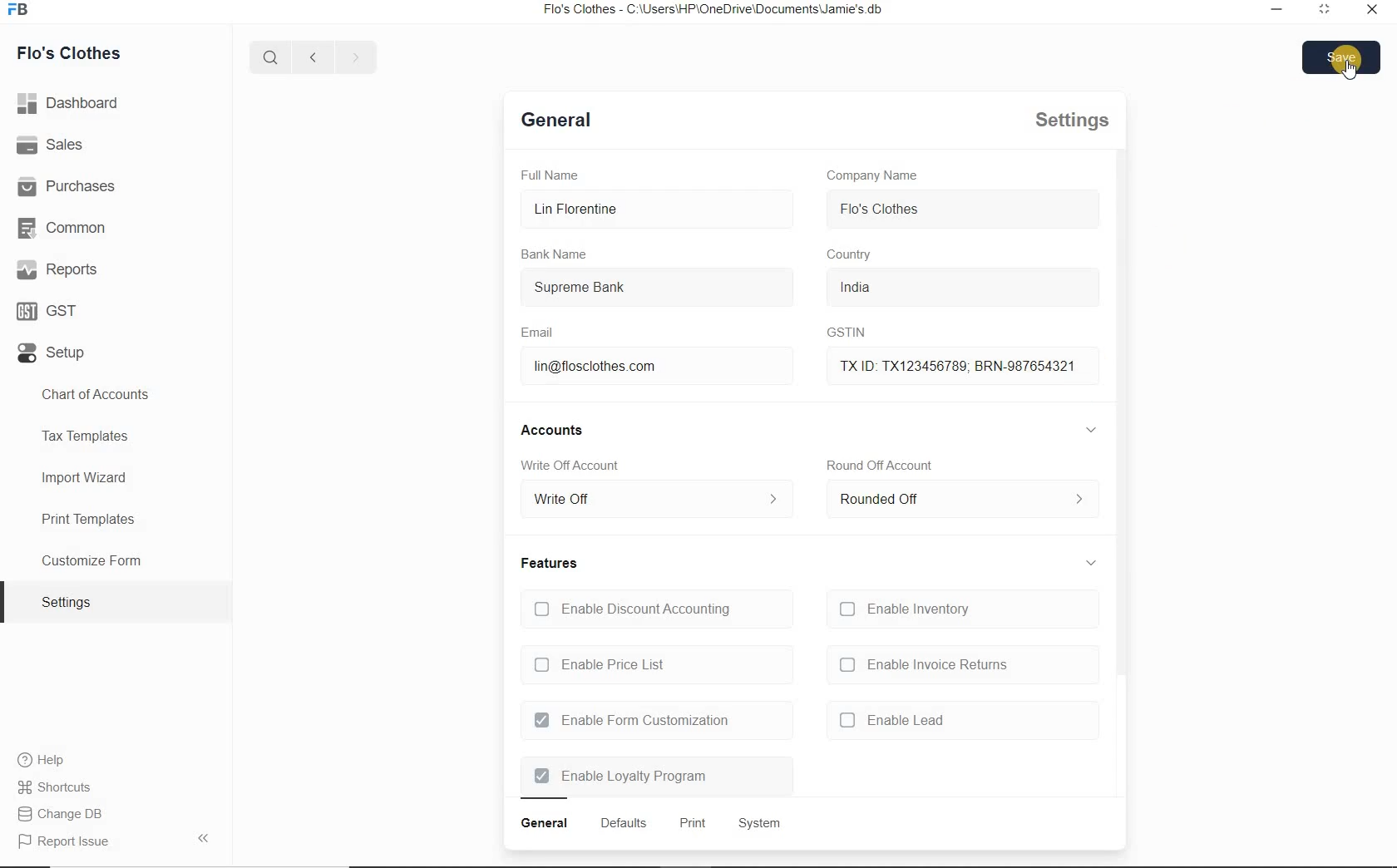 The image size is (1397, 868). I want to click on Full Name, so click(555, 175).